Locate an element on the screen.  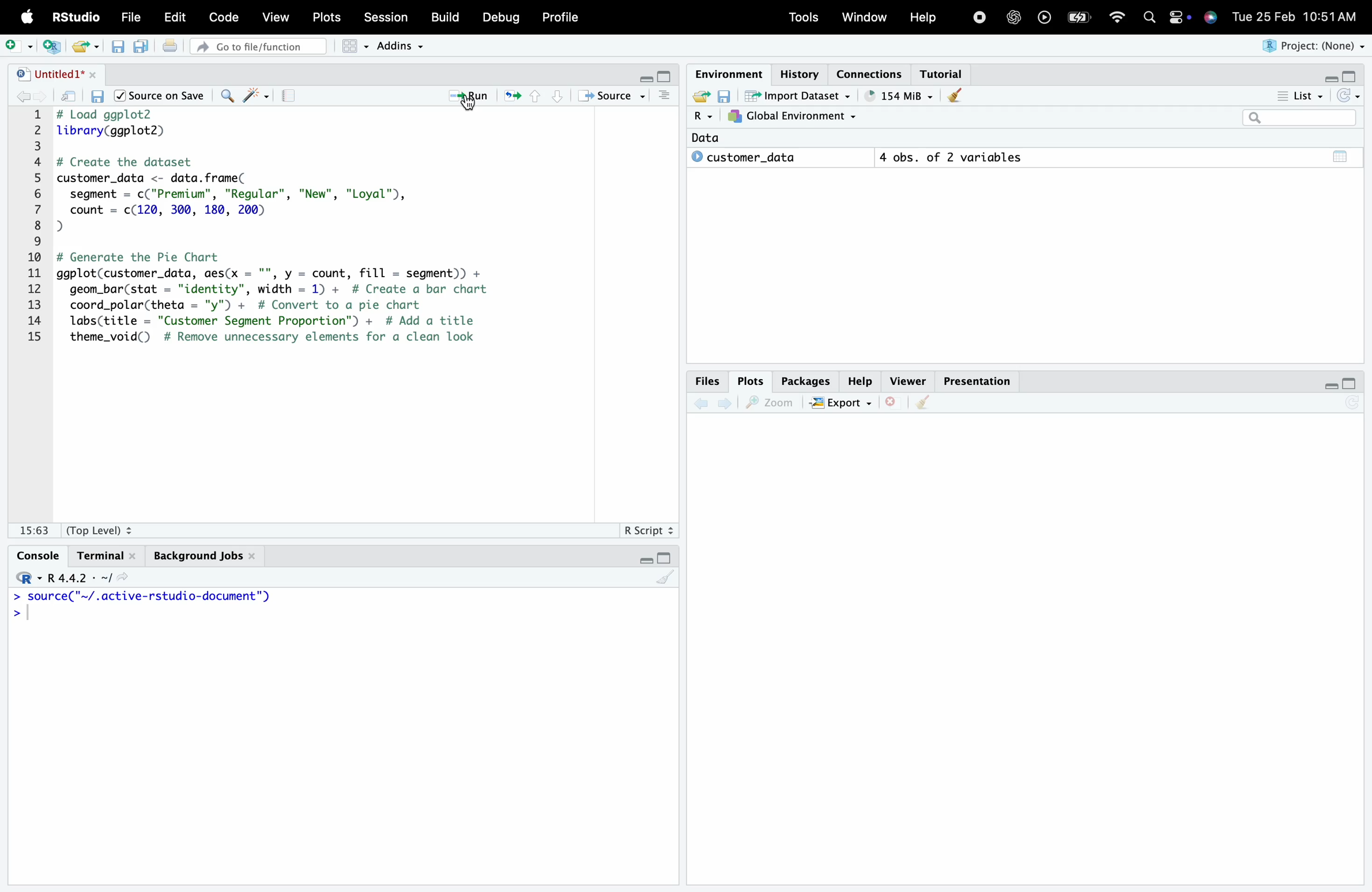
Files is located at coordinates (706, 383).